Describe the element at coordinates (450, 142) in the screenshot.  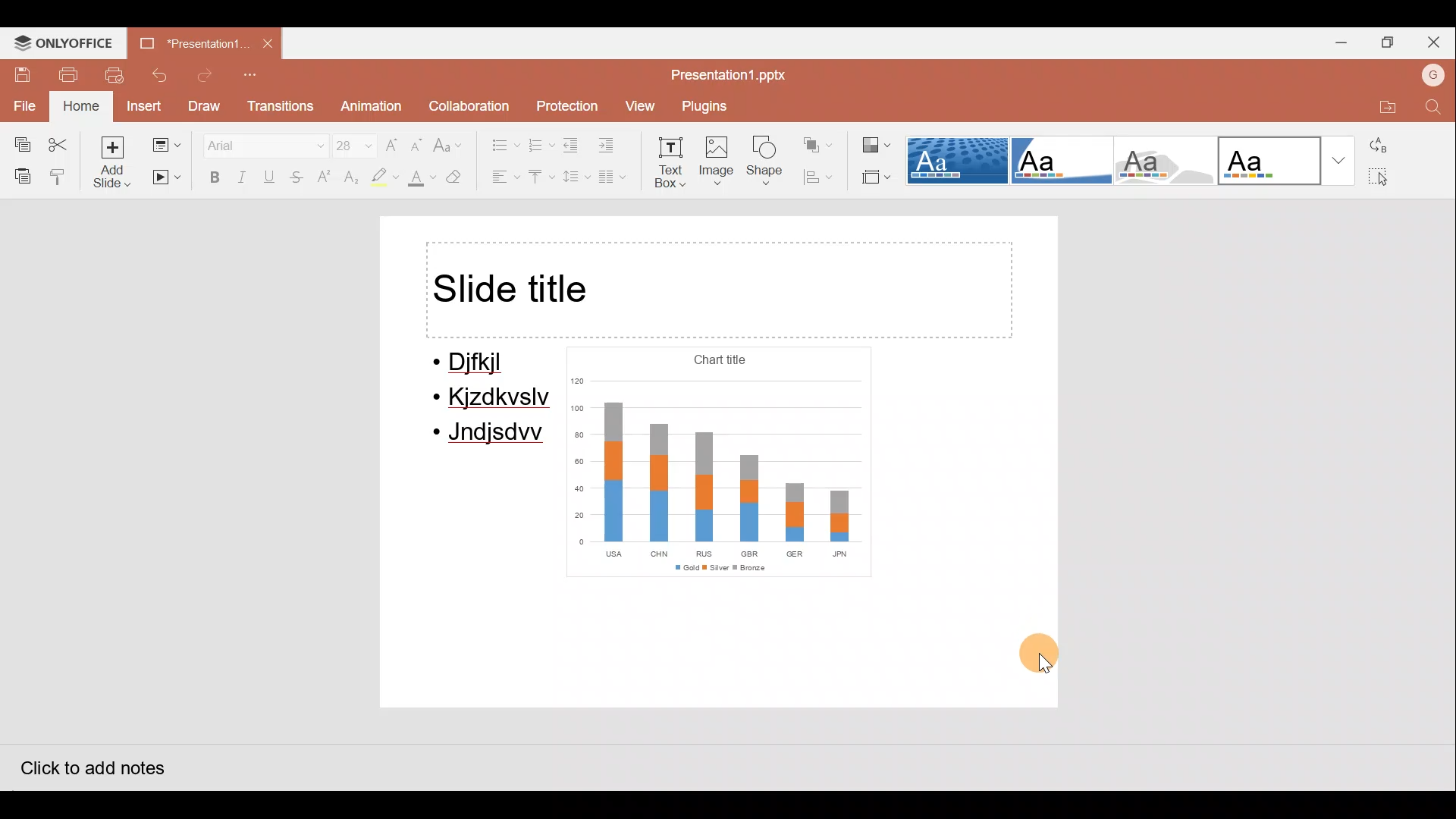
I see `Change case` at that location.